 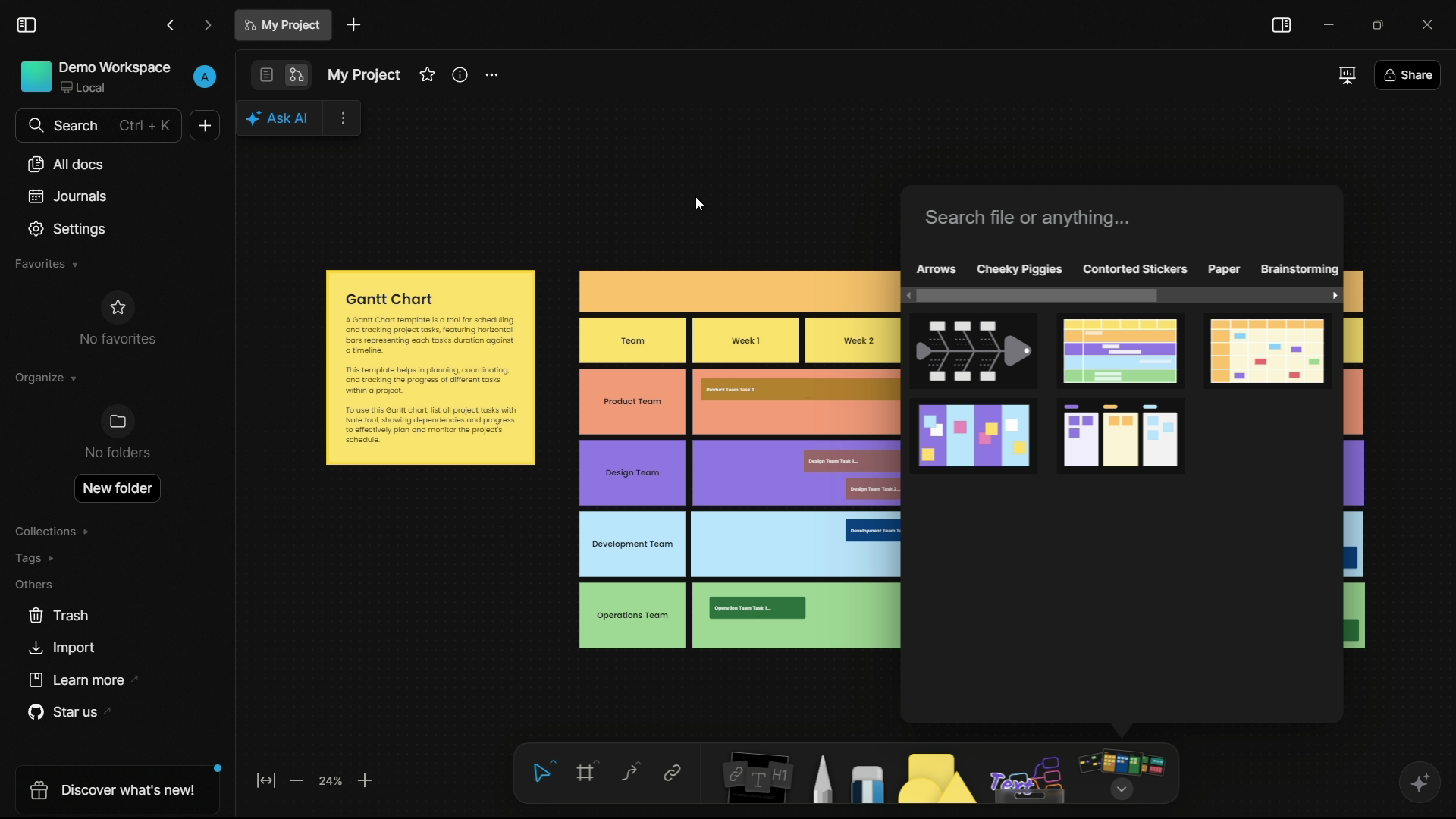 What do you see at coordinates (298, 76) in the screenshot?
I see `edgeless mode` at bounding box center [298, 76].